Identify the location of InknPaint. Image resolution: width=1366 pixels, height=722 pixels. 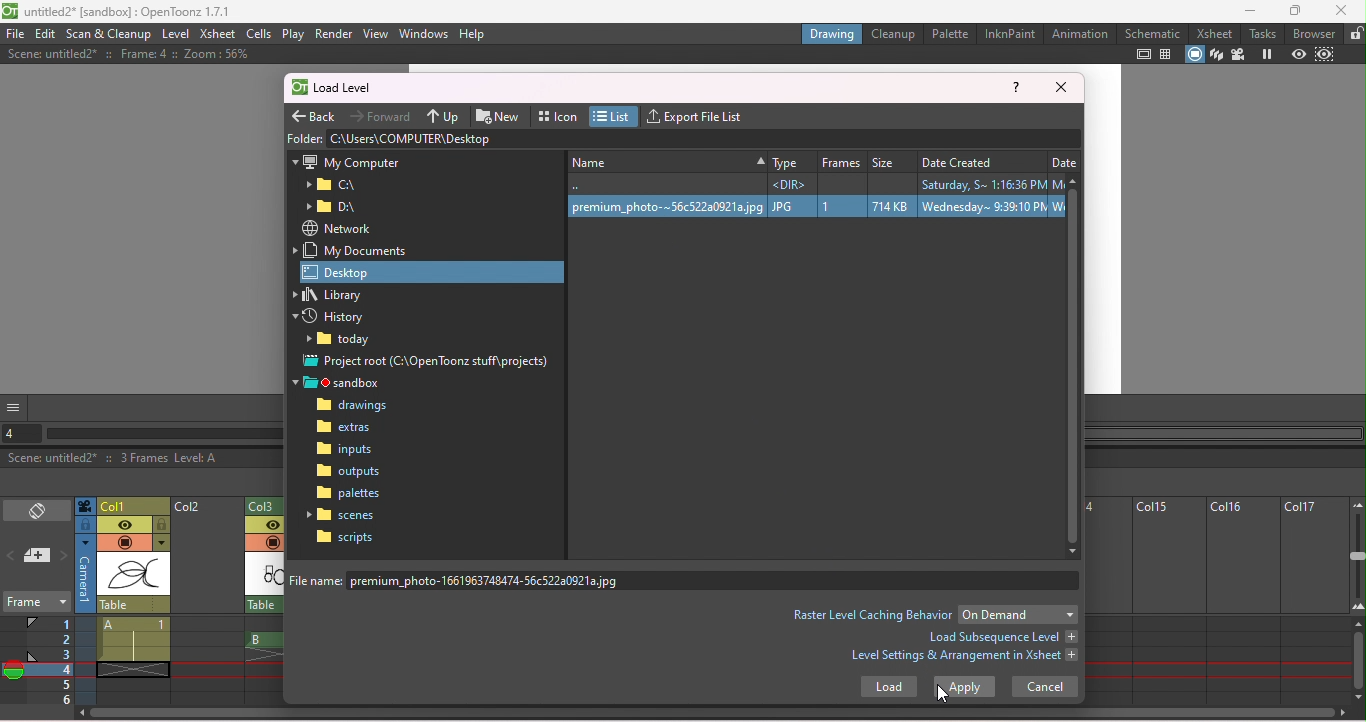
(1009, 34).